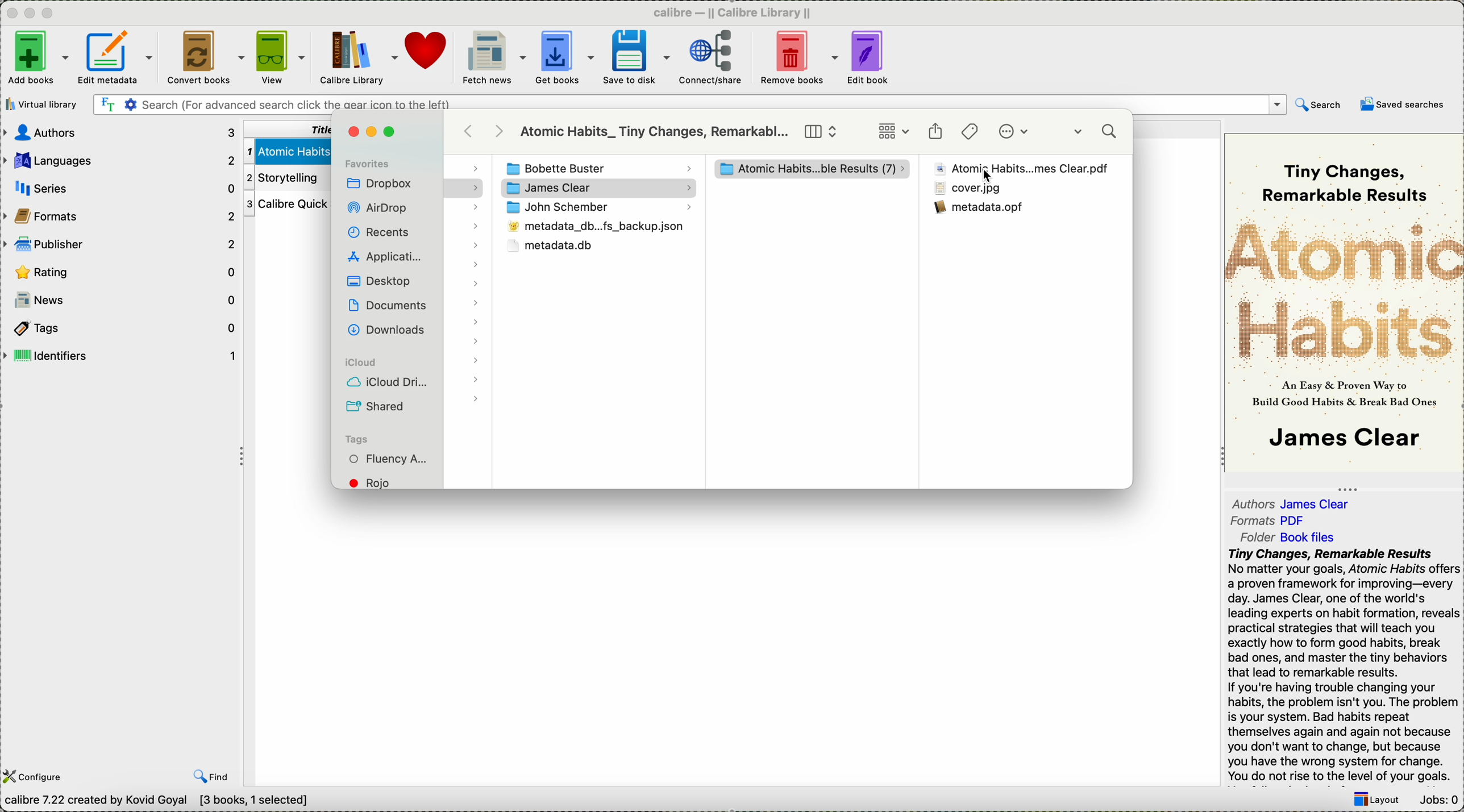  What do you see at coordinates (118, 60) in the screenshot?
I see `edit metadata` at bounding box center [118, 60].